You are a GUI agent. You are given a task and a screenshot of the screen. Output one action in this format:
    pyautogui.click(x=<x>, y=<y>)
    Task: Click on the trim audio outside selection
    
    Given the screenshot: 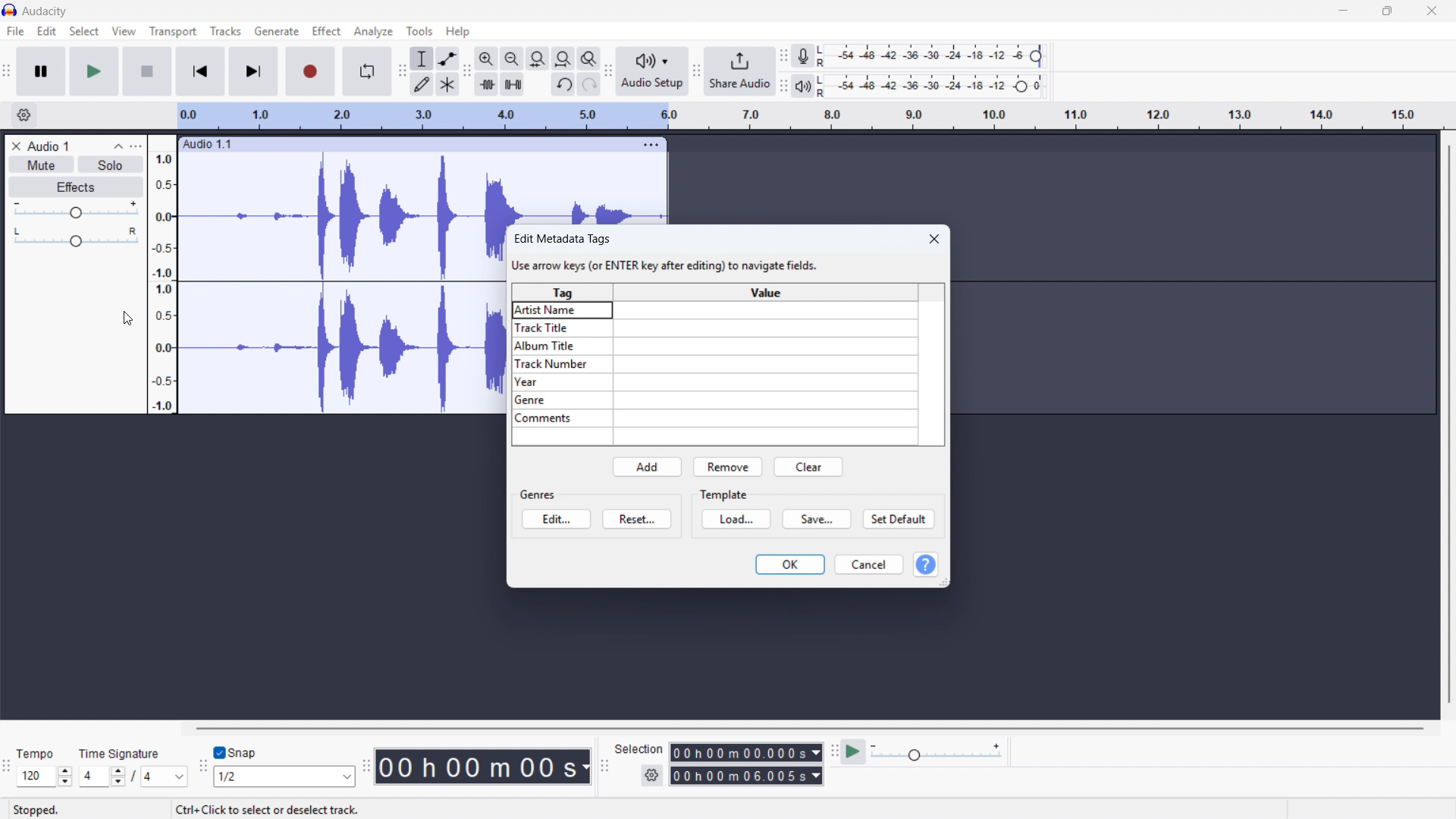 What is the action you would take?
    pyautogui.click(x=488, y=85)
    